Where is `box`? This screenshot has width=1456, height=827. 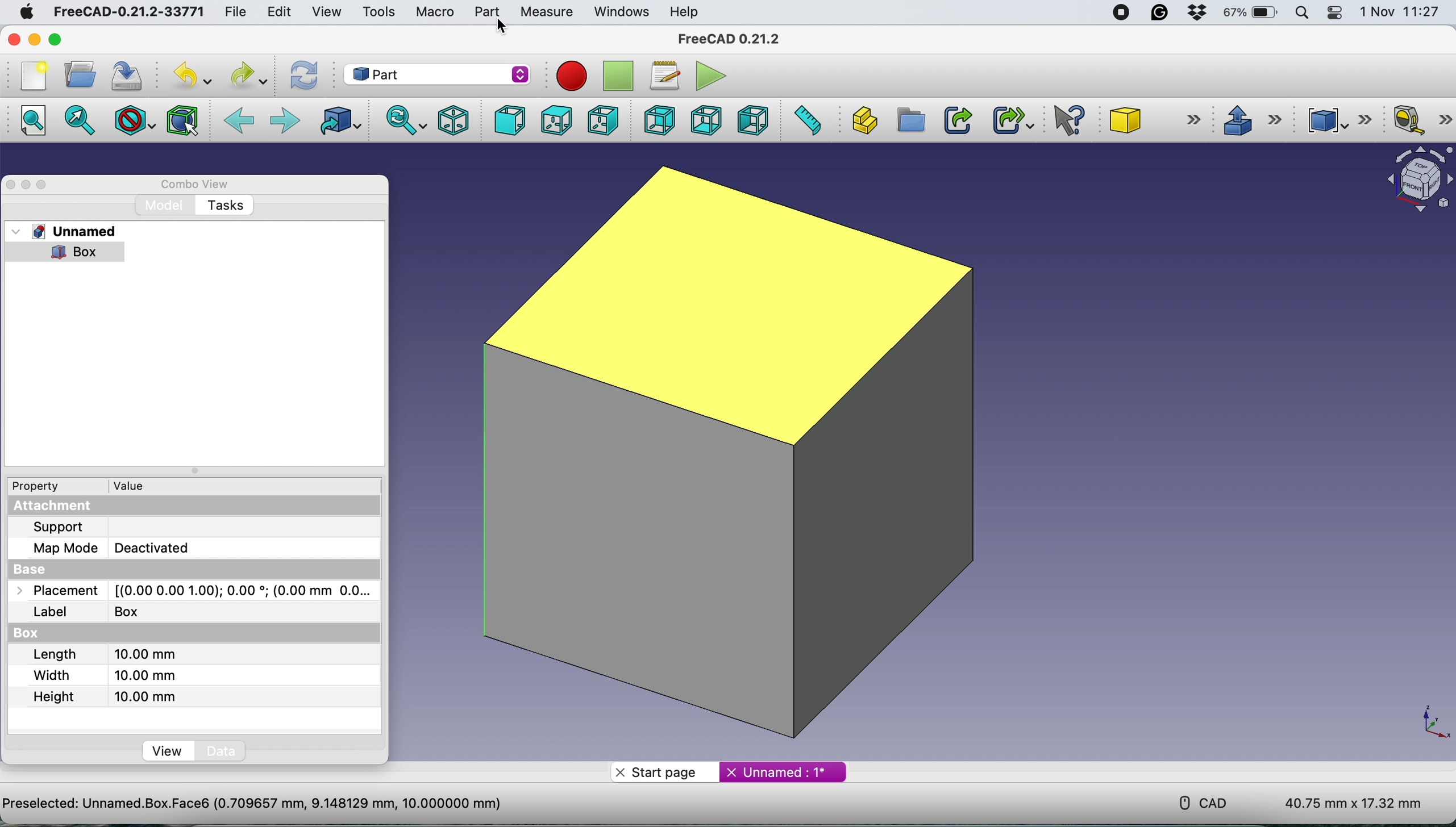 box is located at coordinates (57, 634).